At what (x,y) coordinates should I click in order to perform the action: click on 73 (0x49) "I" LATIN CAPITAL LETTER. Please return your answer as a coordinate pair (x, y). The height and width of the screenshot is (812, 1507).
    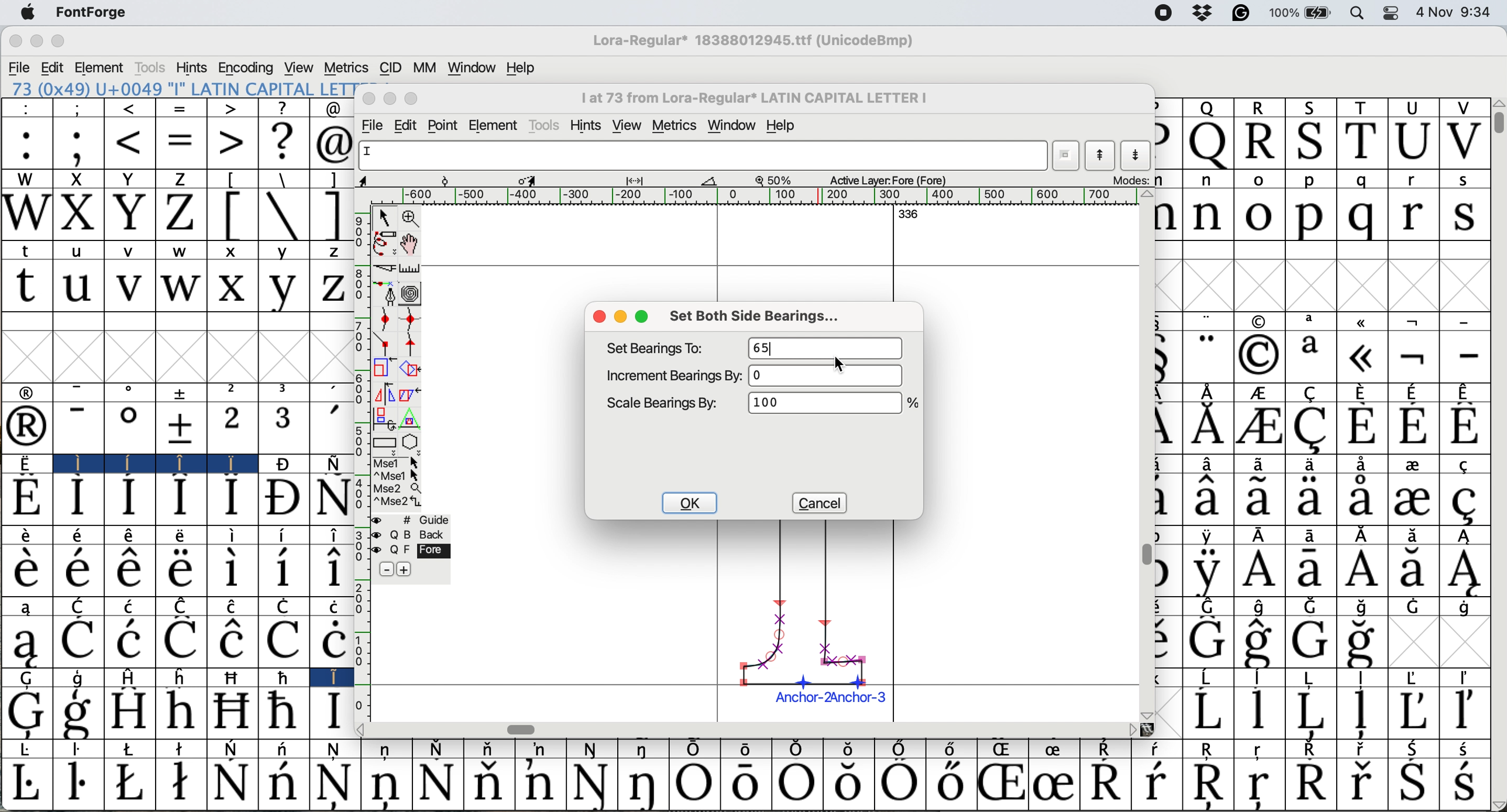
    Looking at the image, I should click on (178, 88).